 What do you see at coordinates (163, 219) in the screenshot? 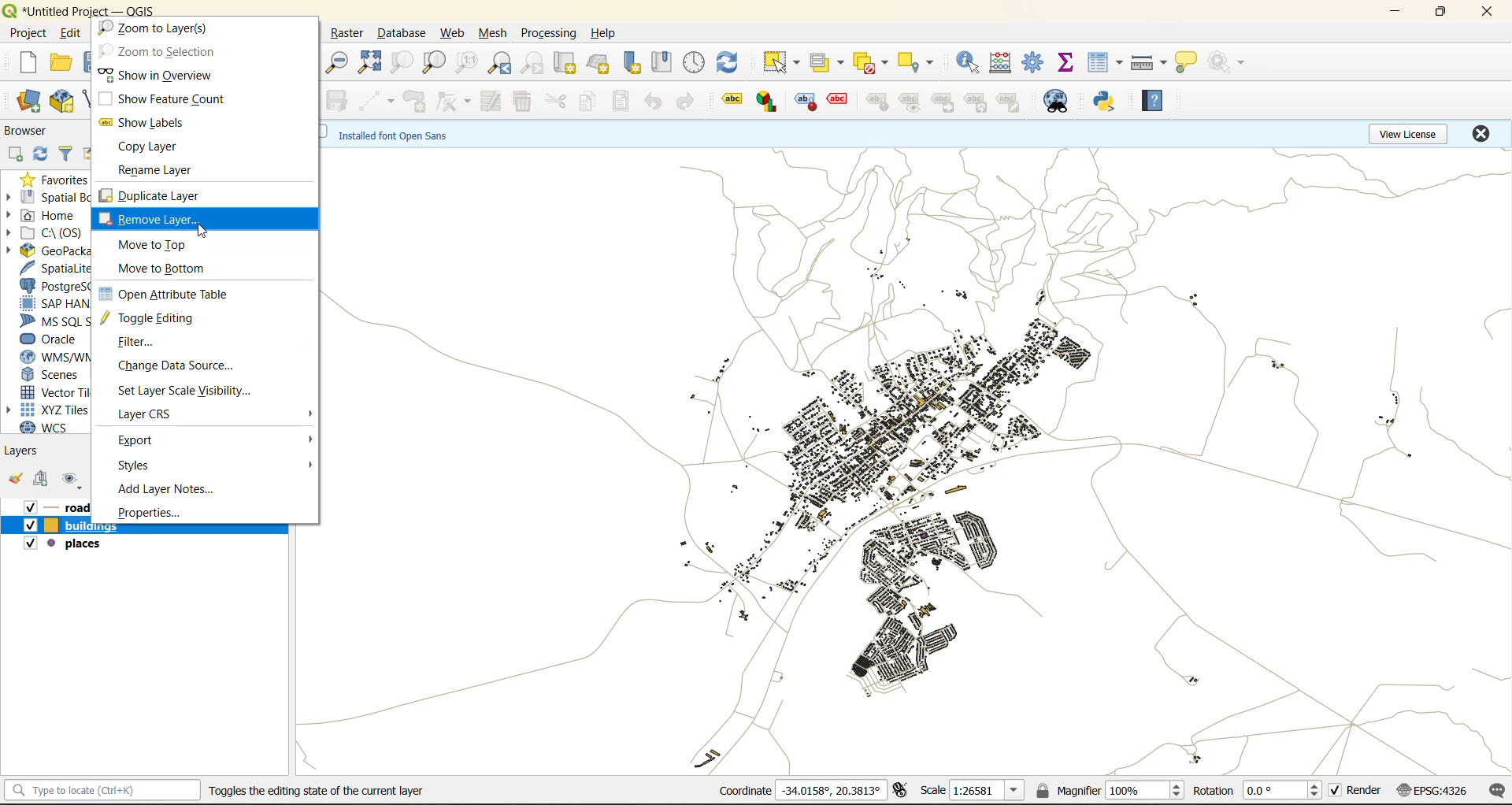
I see `remove layer` at bounding box center [163, 219].